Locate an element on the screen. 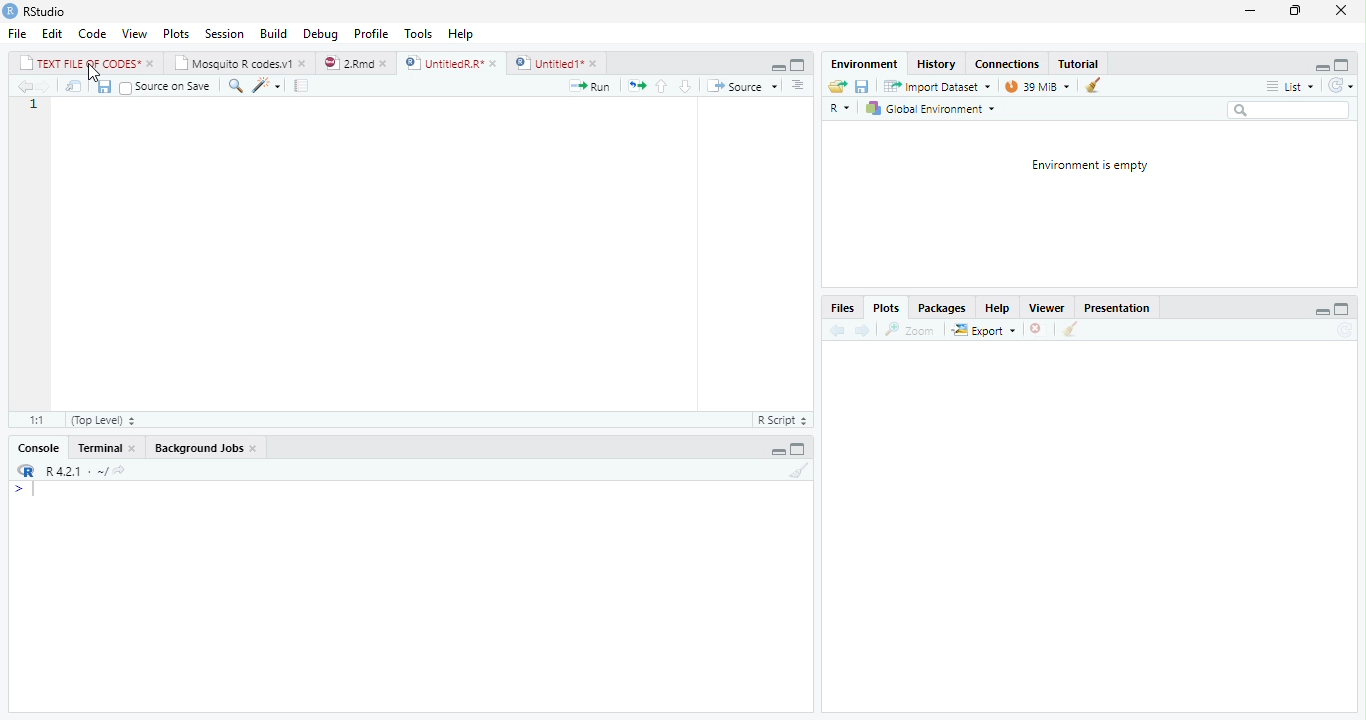  Row Number is located at coordinates (31, 107).